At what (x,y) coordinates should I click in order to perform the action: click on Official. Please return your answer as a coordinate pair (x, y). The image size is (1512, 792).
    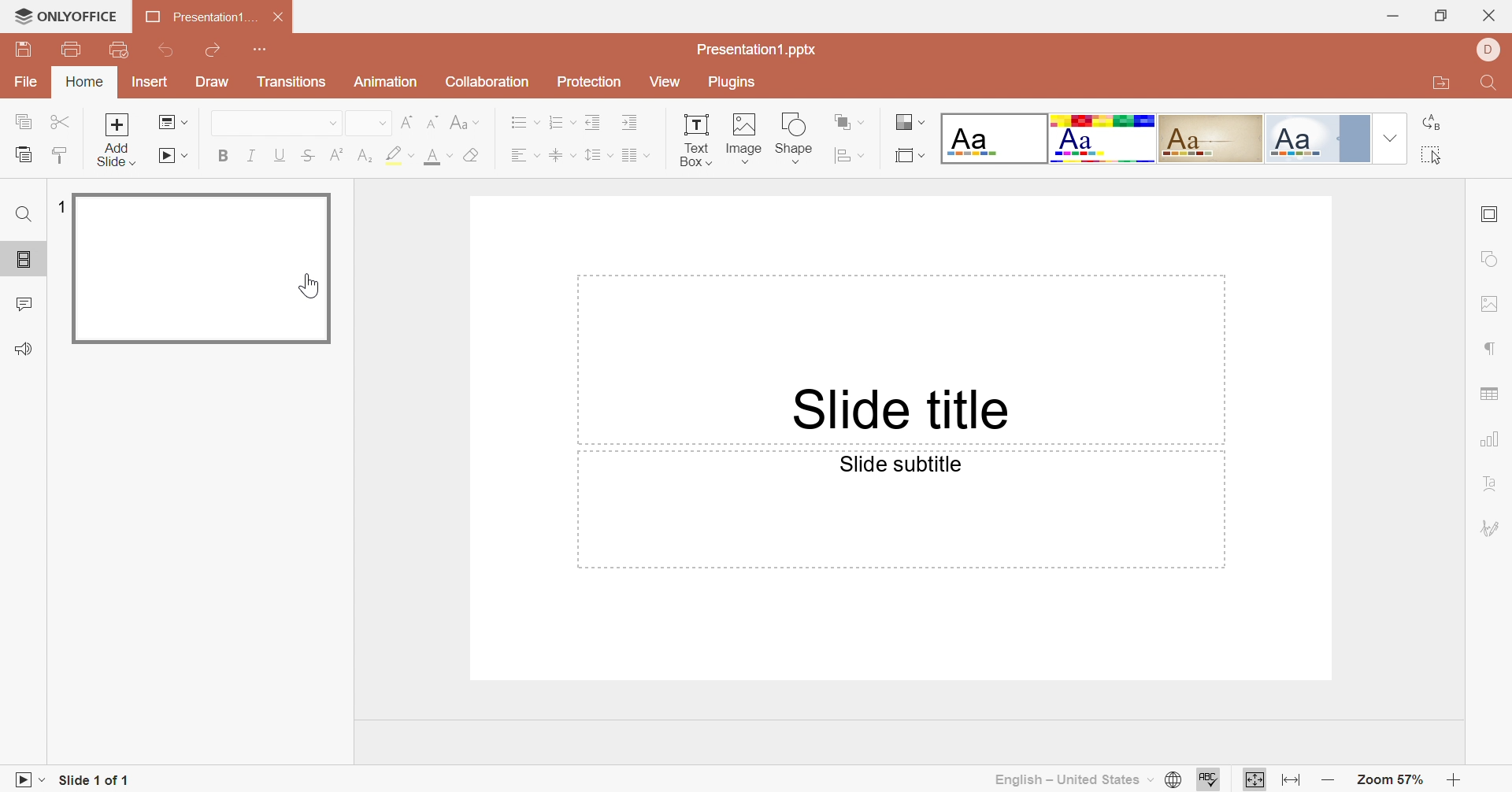
    Looking at the image, I should click on (1317, 136).